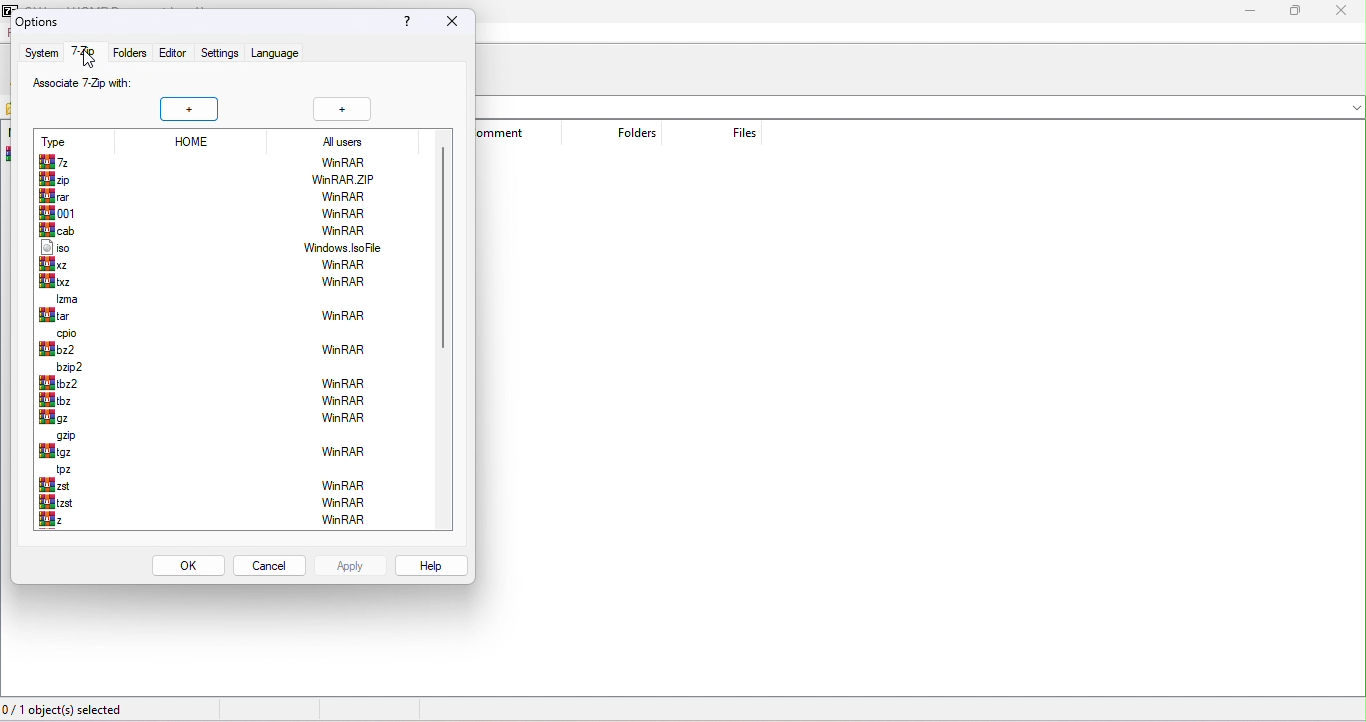 The image size is (1366, 722). What do you see at coordinates (60, 247) in the screenshot?
I see `iso` at bounding box center [60, 247].